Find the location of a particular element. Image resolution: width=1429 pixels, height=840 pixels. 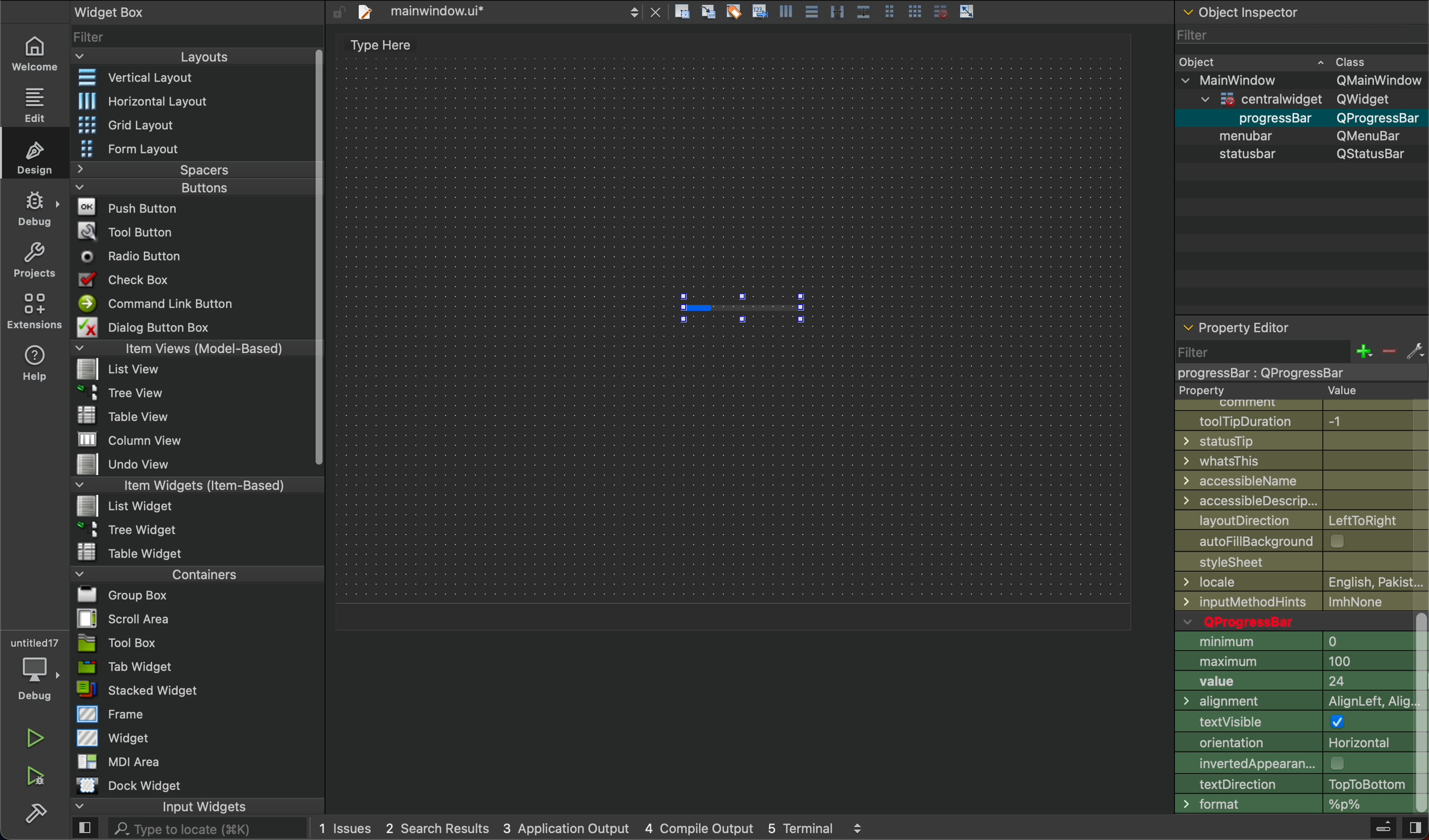

appereance is located at coordinates (1293, 763).